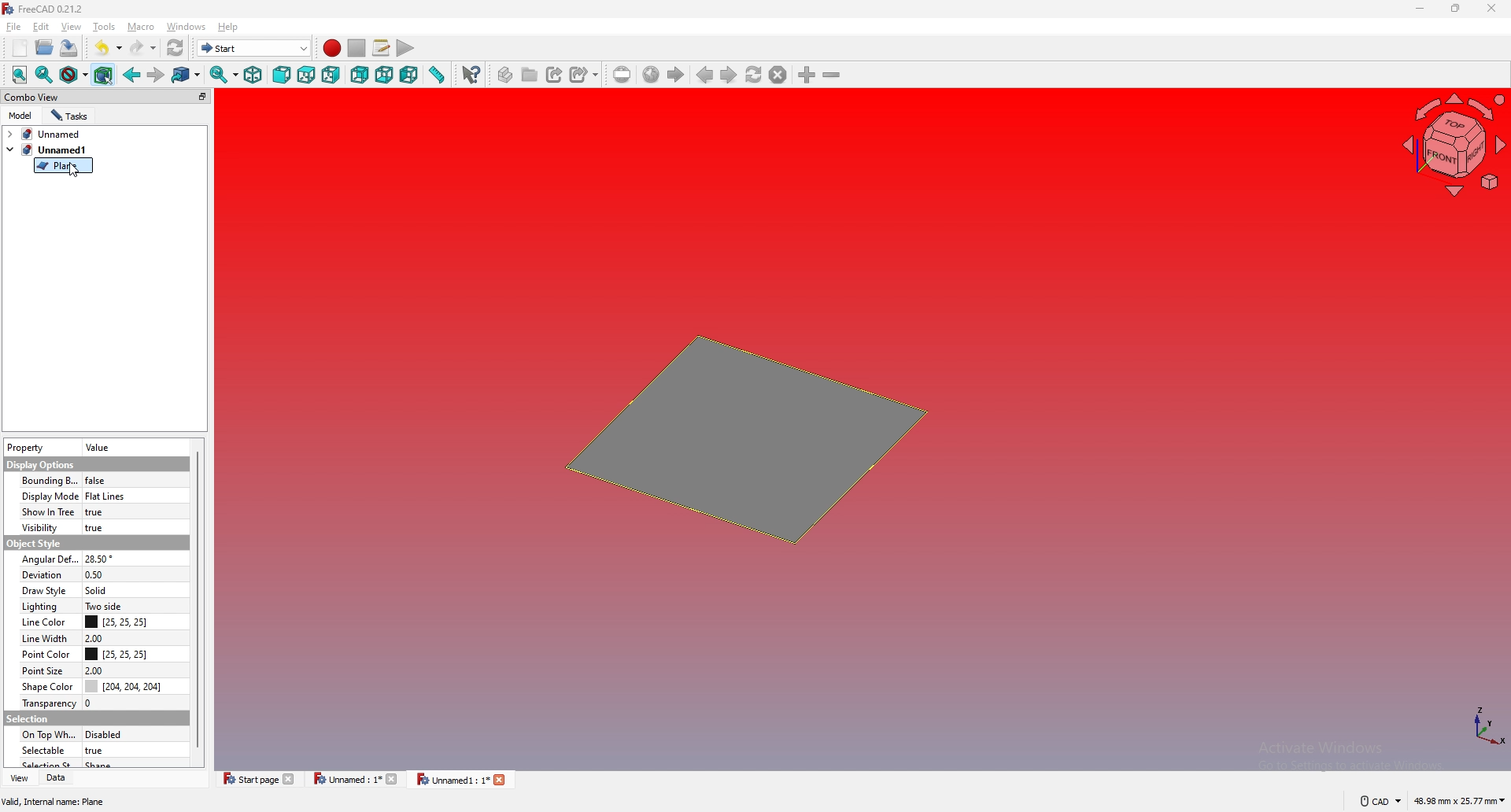 This screenshot has width=1511, height=812. Describe the element at coordinates (406, 48) in the screenshot. I see `execute macro` at that location.